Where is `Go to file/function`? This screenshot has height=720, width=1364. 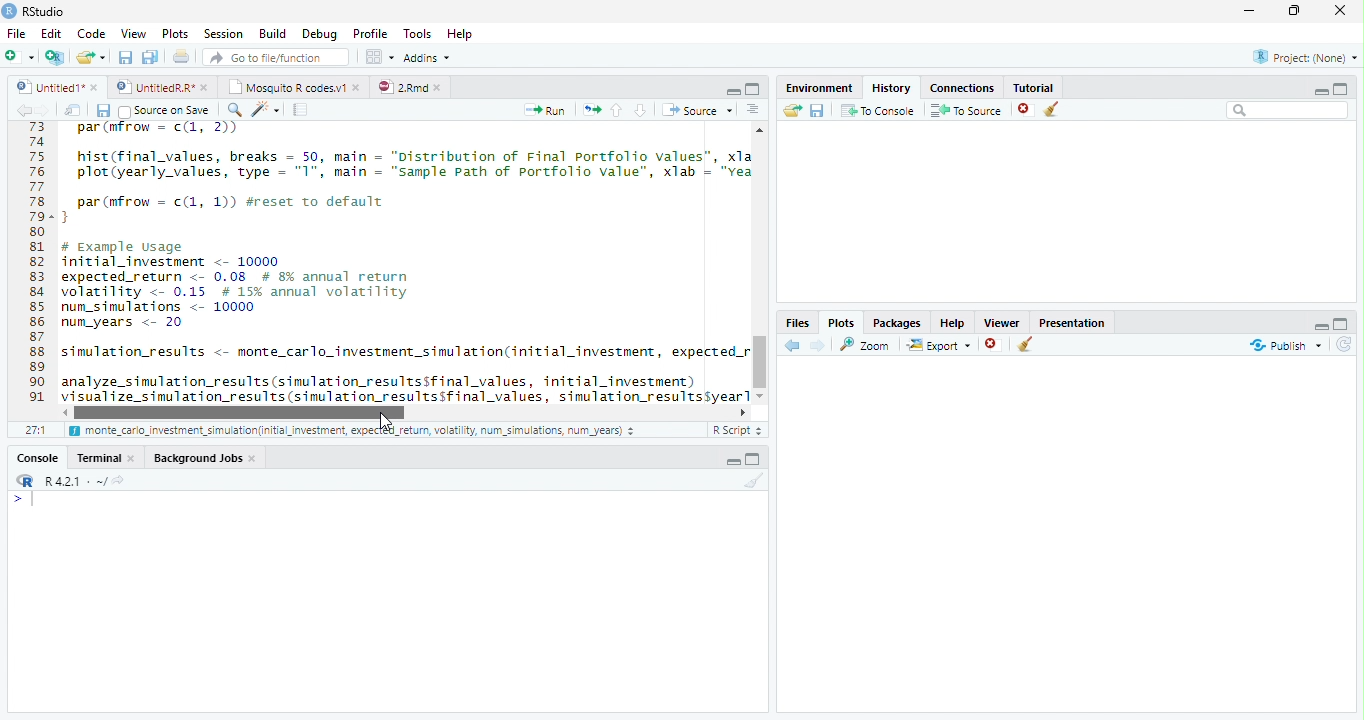
Go to file/function is located at coordinates (274, 57).